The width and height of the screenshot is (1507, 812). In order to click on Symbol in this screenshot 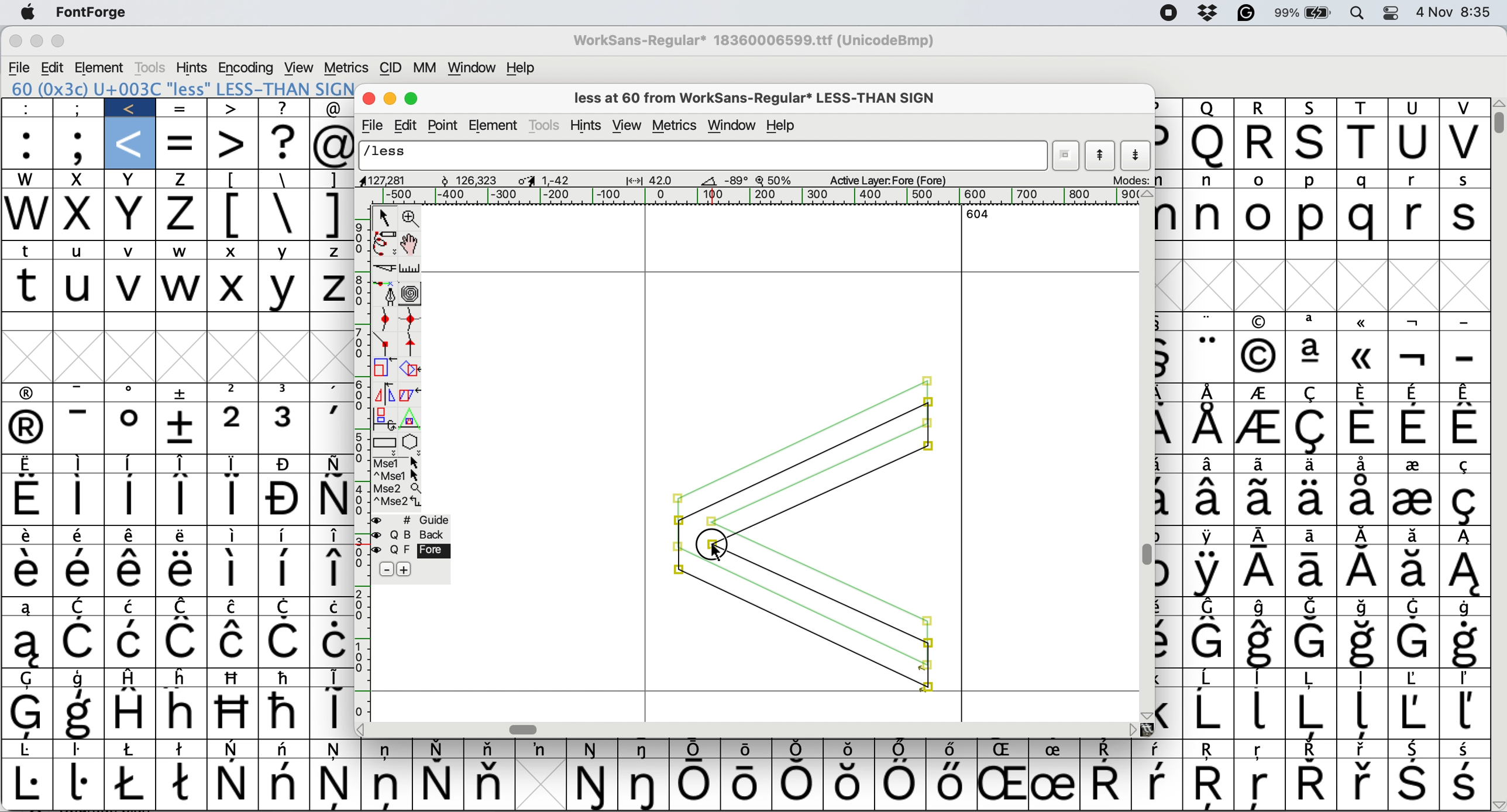, I will do `click(234, 642)`.